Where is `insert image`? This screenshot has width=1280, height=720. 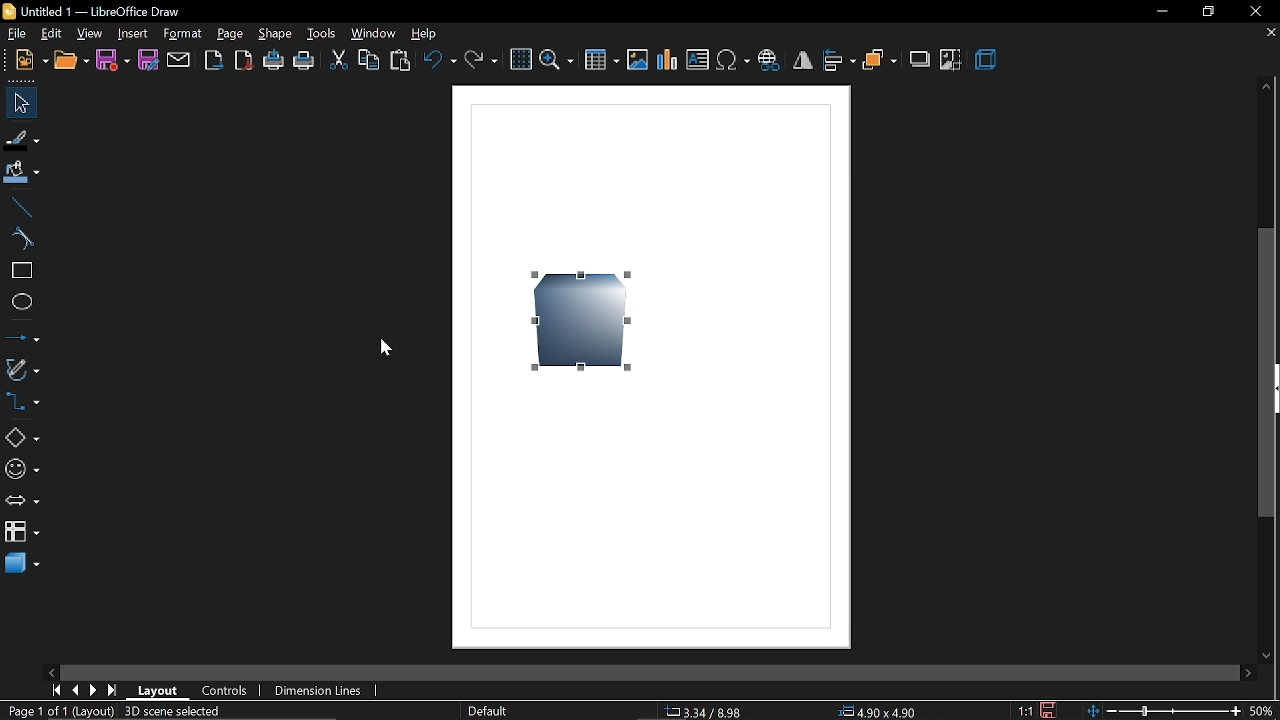 insert image is located at coordinates (638, 61).